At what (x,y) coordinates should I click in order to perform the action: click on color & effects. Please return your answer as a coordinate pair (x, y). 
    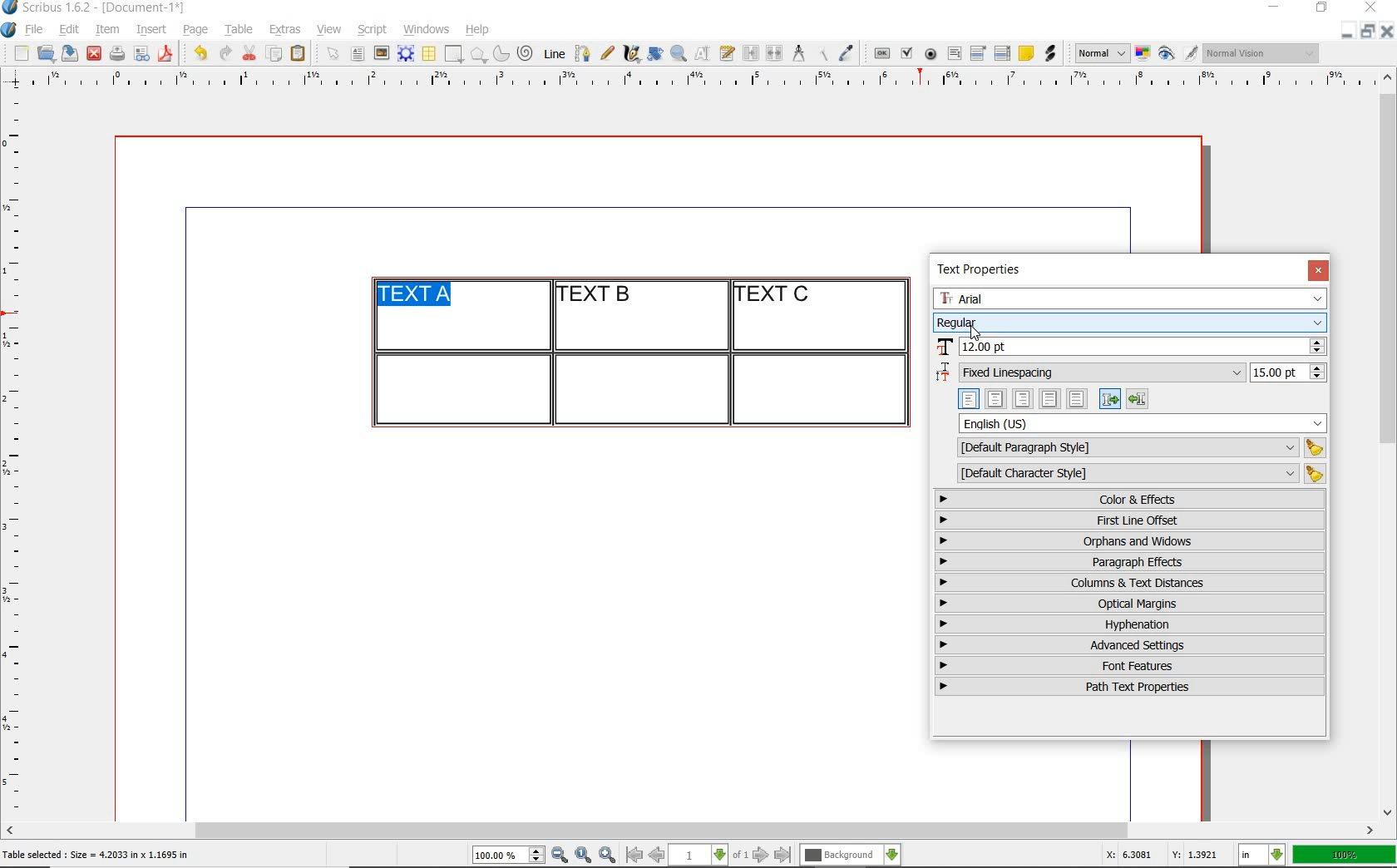
    Looking at the image, I should click on (1132, 499).